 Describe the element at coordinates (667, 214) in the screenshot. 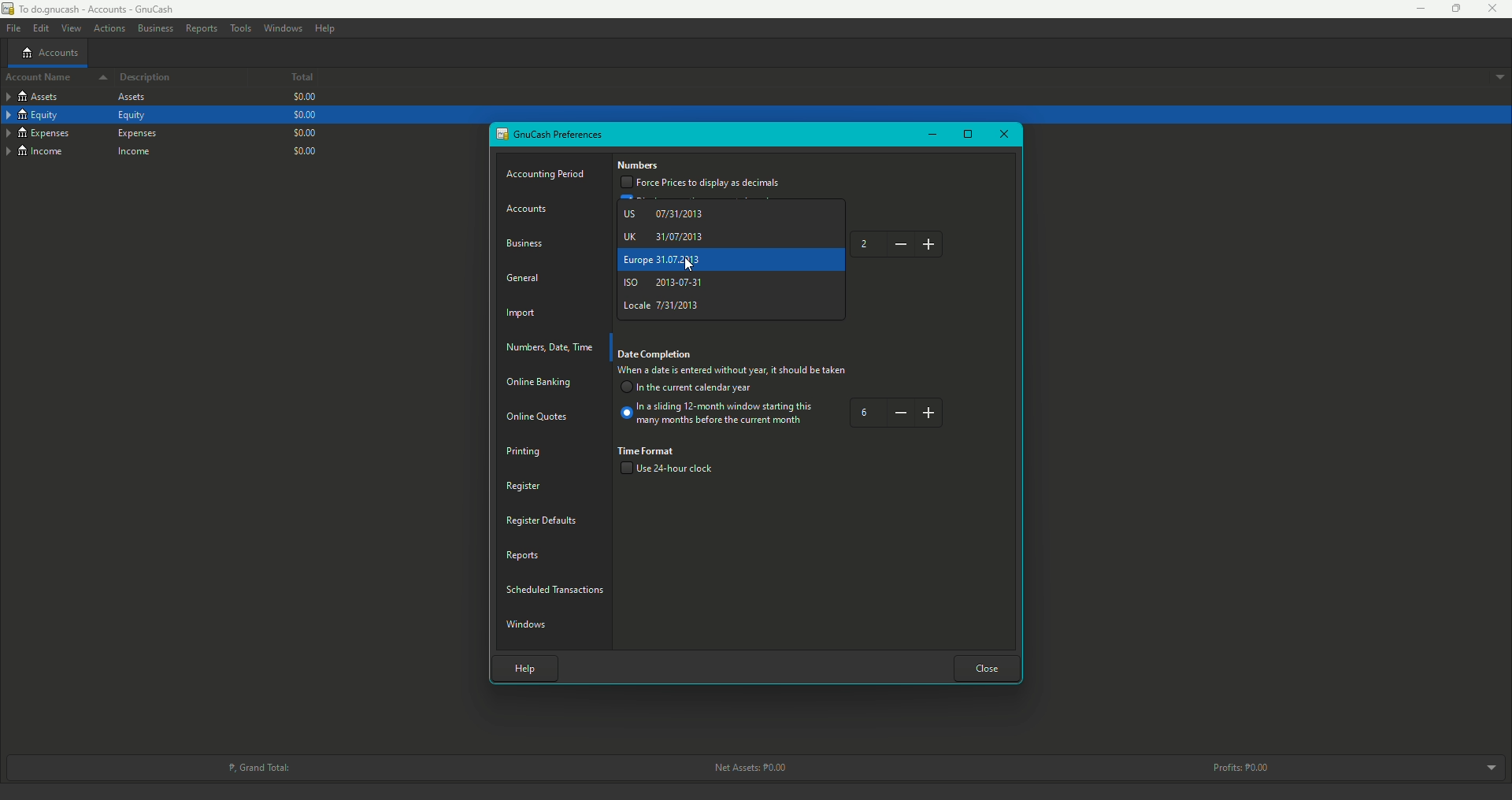

I see `US Date` at that location.